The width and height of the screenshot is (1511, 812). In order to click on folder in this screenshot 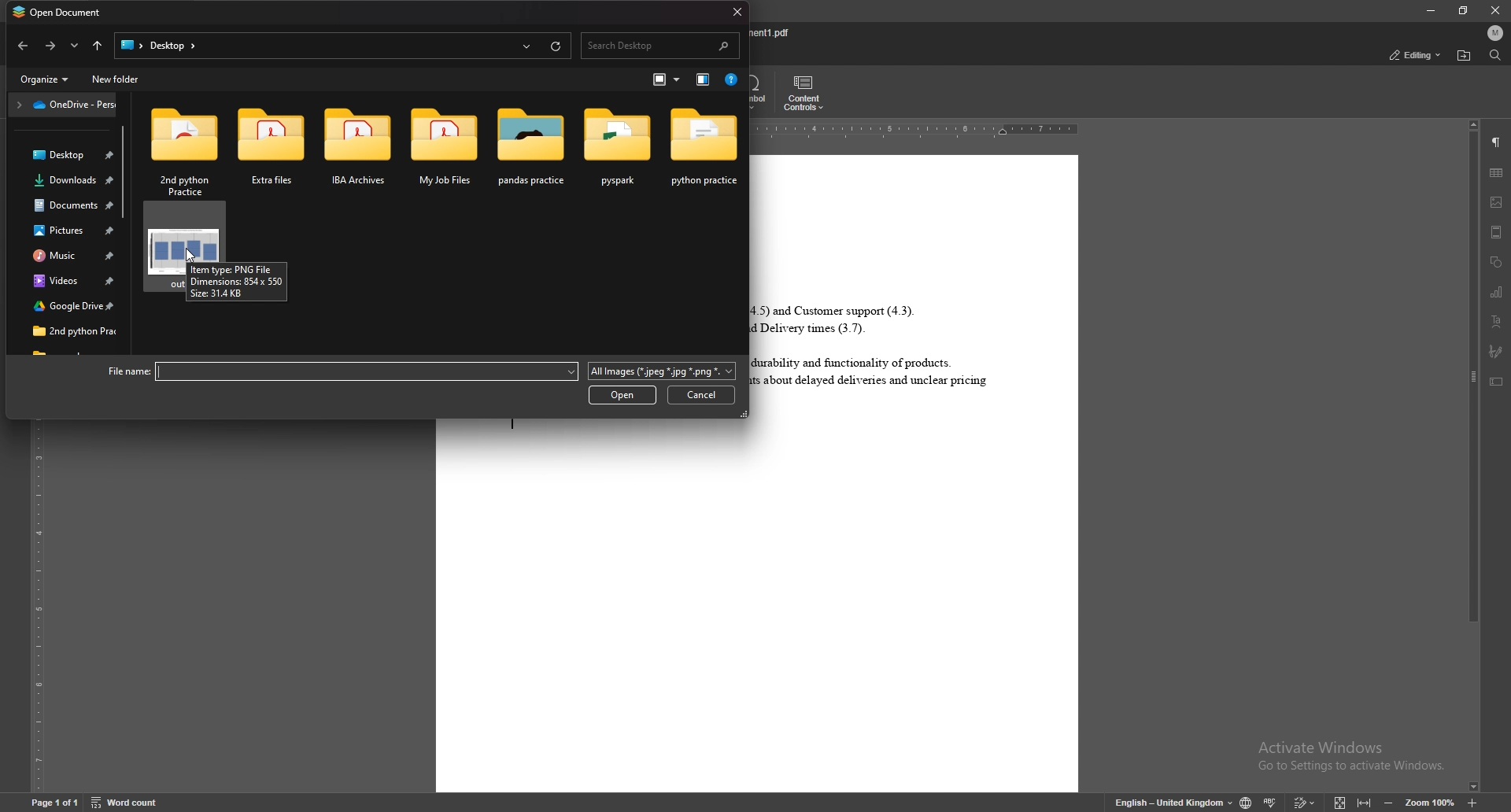, I will do `click(63, 232)`.